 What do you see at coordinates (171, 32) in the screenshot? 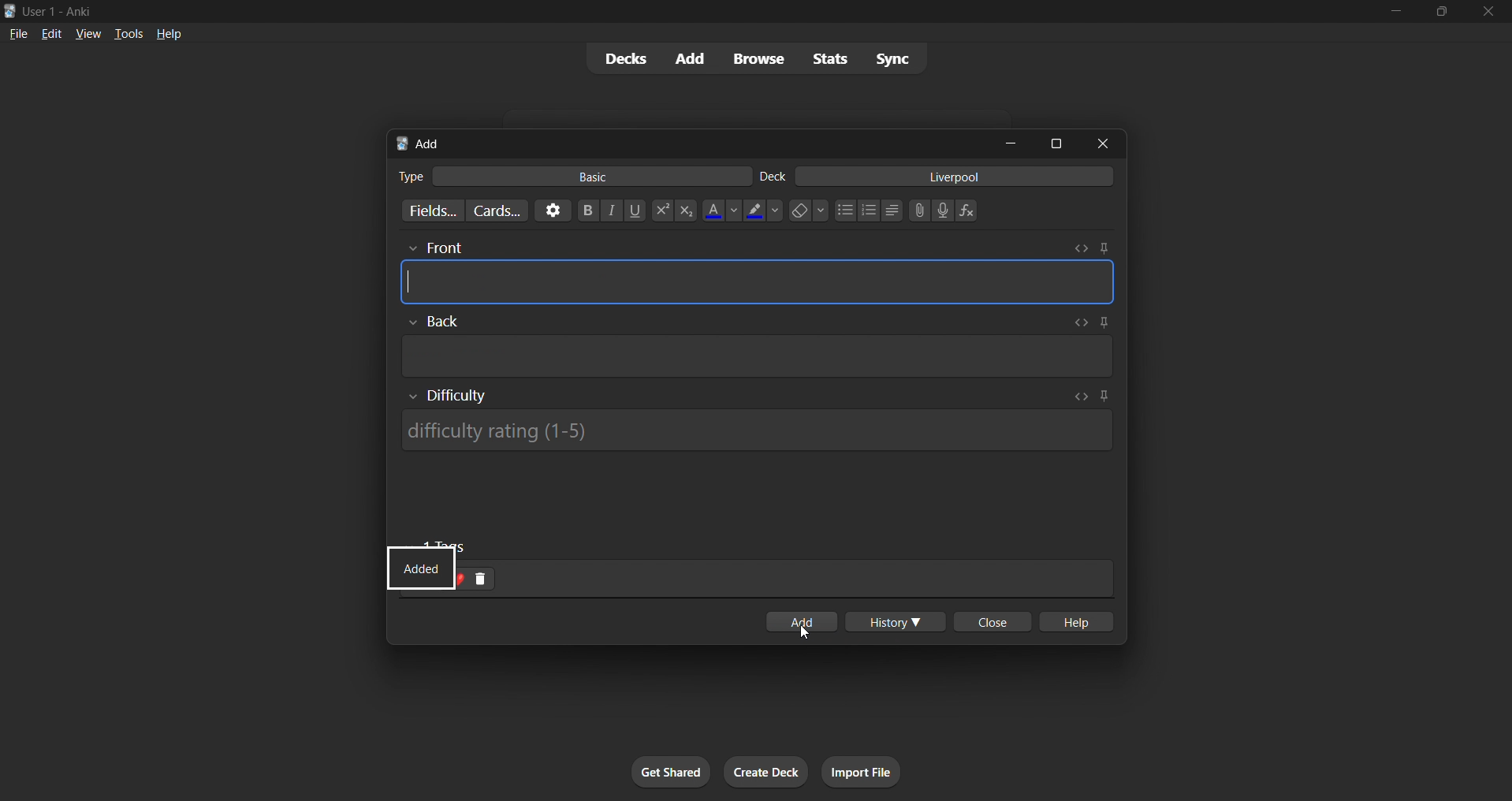
I see `help` at bounding box center [171, 32].